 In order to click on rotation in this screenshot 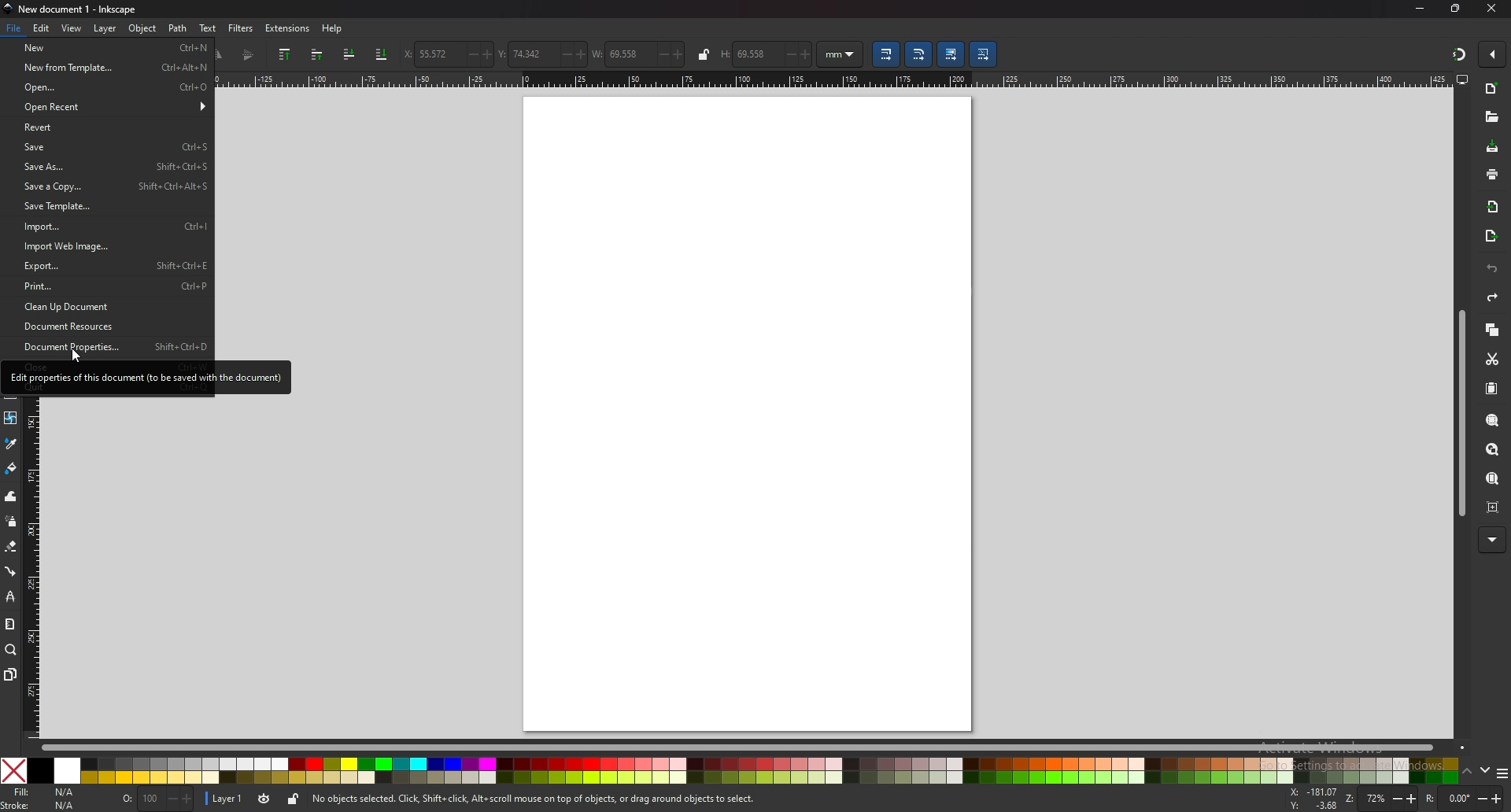, I will do `click(1446, 799)`.